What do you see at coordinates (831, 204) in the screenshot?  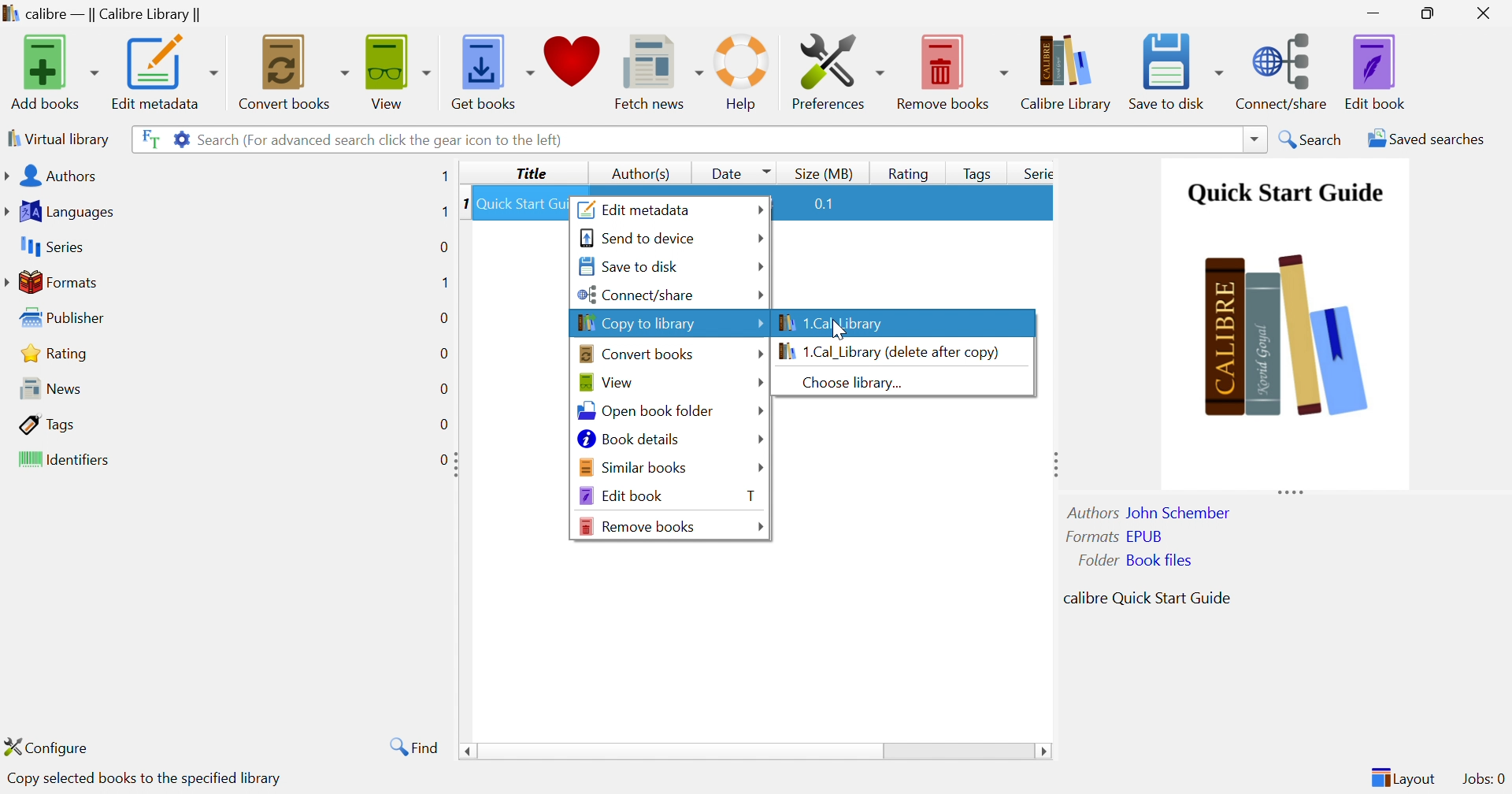 I see `0.1` at bounding box center [831, 204].